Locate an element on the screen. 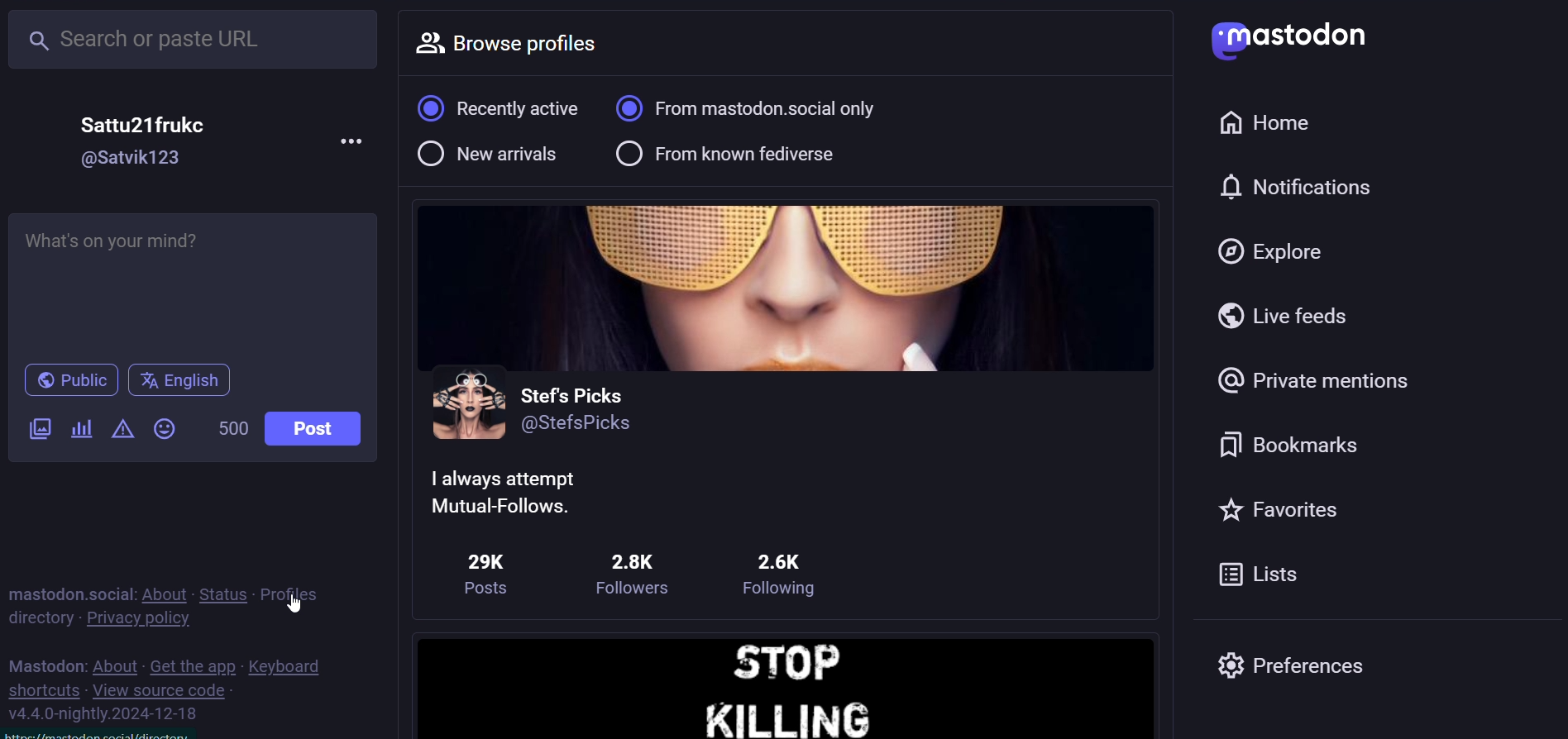 This screenshot has width=1568, height=739. get the app is located at coordinates (192, 666).